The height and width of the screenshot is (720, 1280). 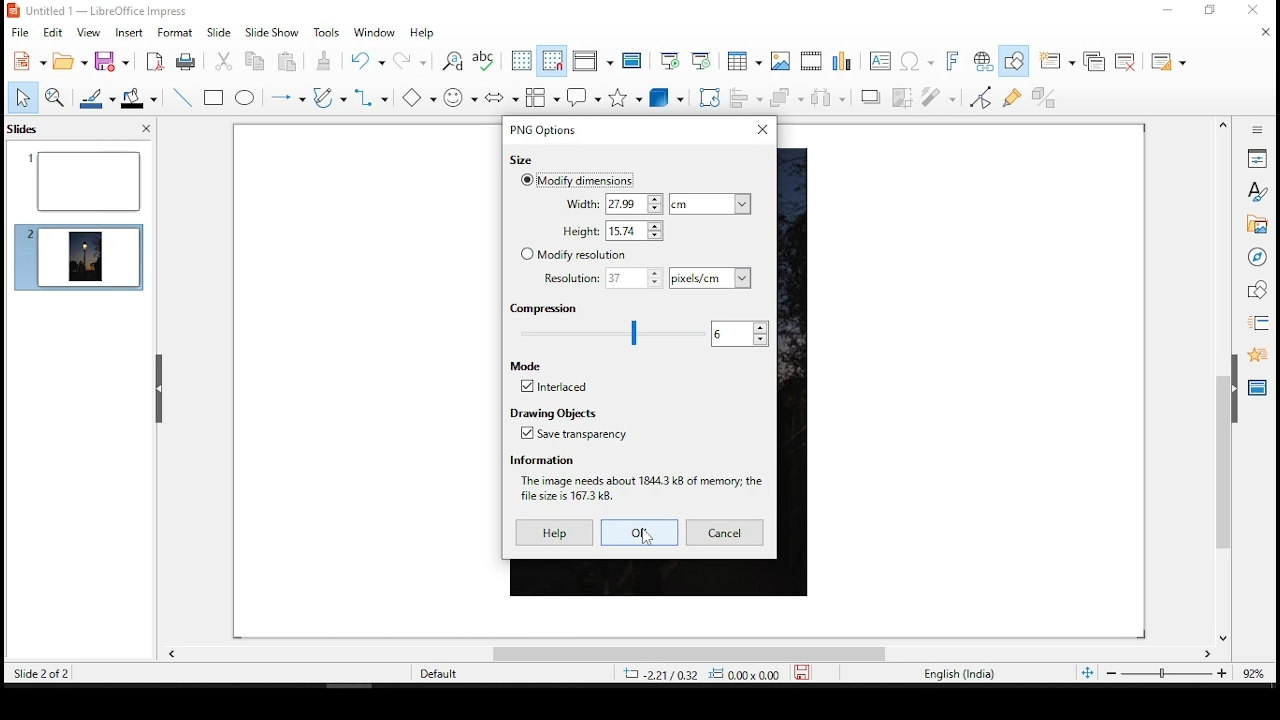 What do you see at coordinates (709, 97) in the screenshot?
I see `crop tool` at bounding box center [709, 97].